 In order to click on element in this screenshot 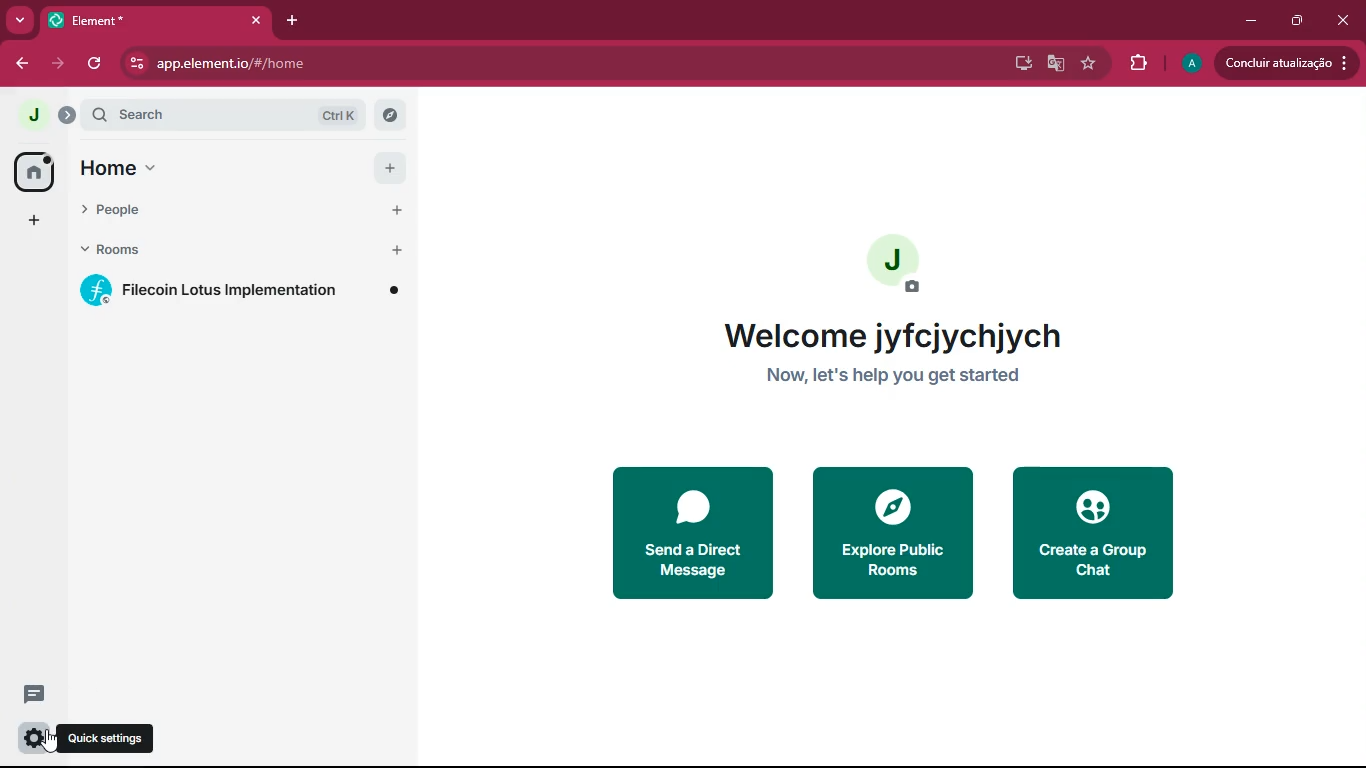, I will do `click(155, 18)`.